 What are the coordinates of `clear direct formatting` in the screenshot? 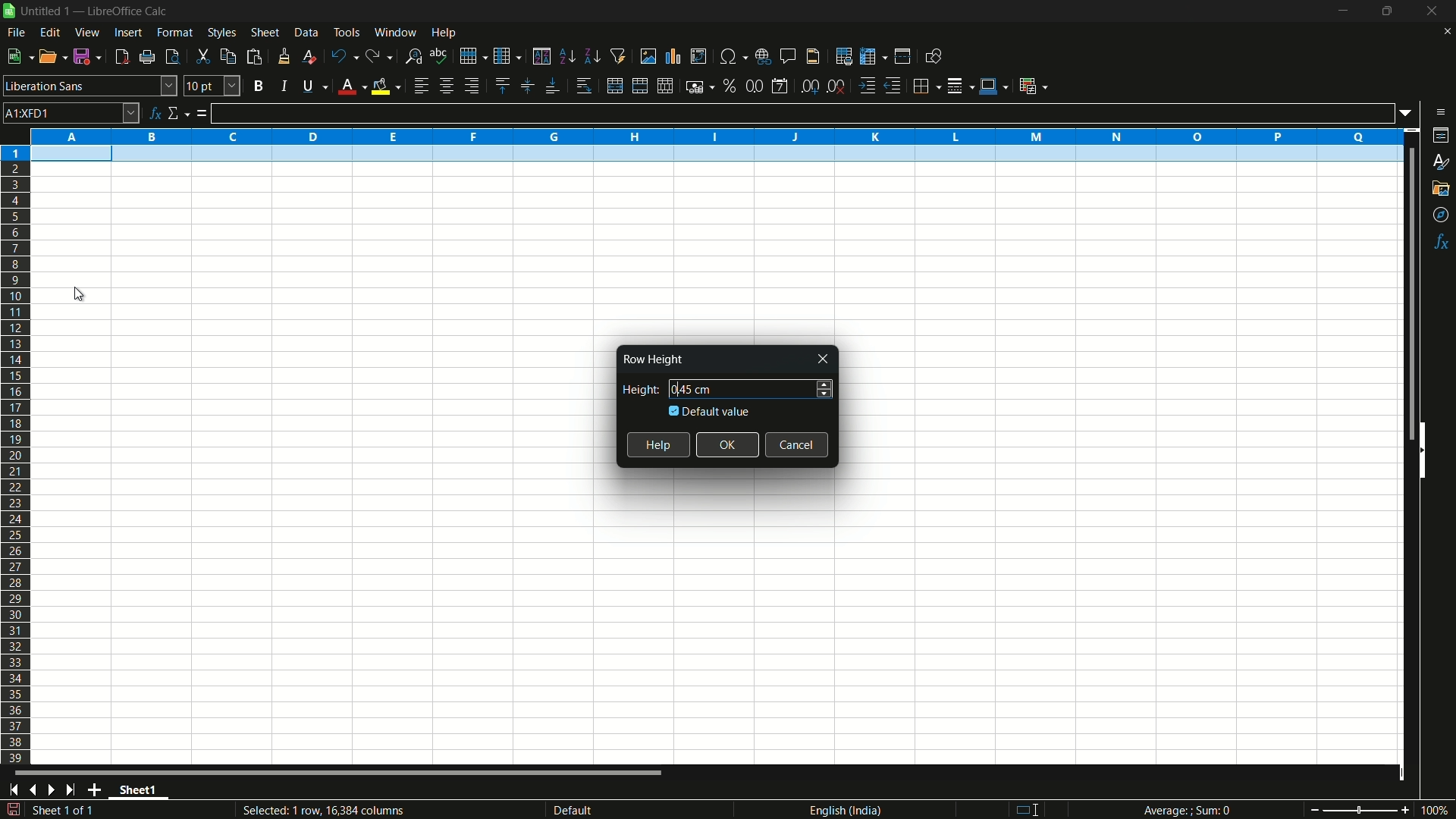 It's located at (307, 56).